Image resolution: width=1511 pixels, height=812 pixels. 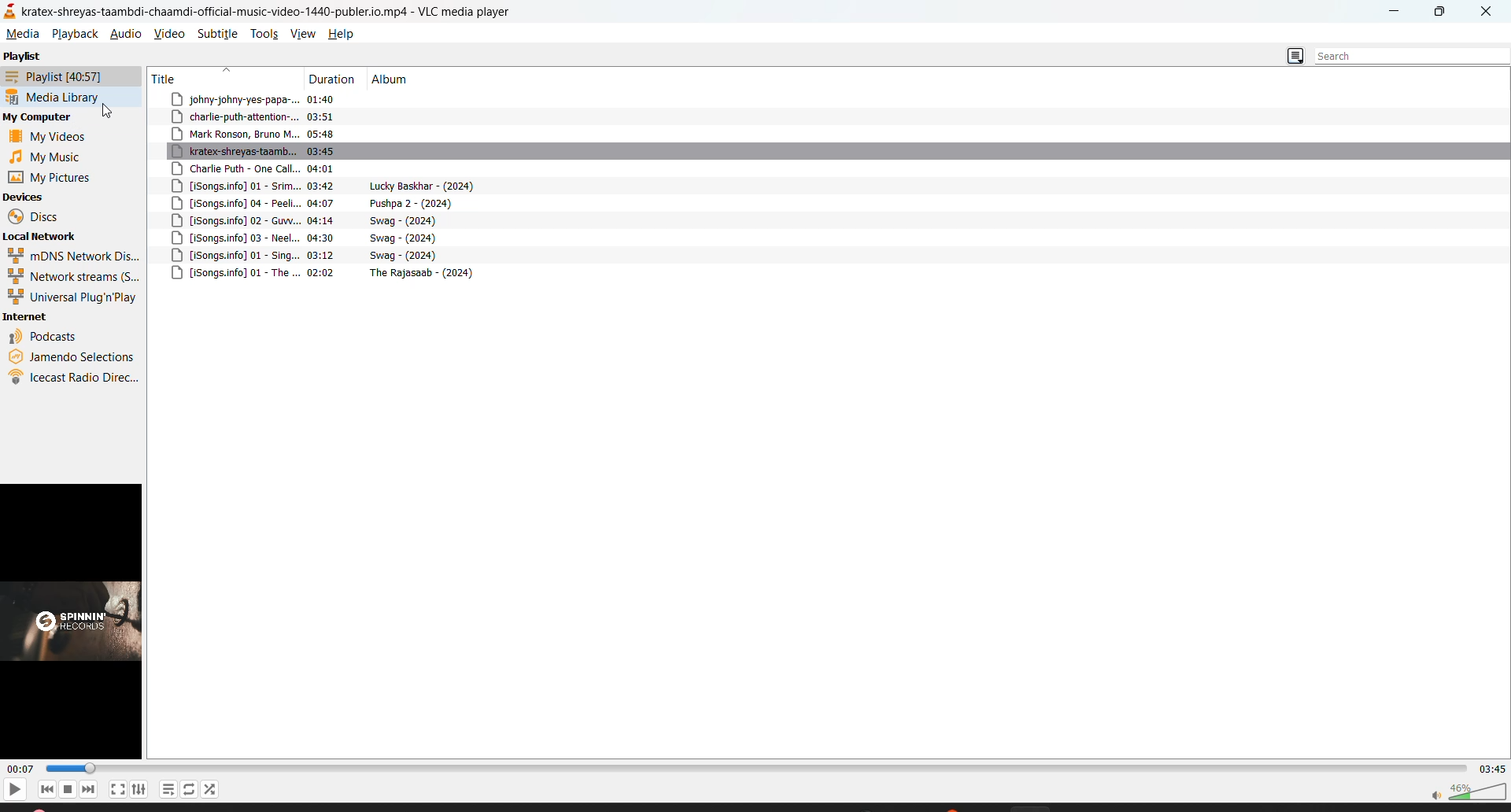 I want to click on playlist, so click(x=63, y=77).